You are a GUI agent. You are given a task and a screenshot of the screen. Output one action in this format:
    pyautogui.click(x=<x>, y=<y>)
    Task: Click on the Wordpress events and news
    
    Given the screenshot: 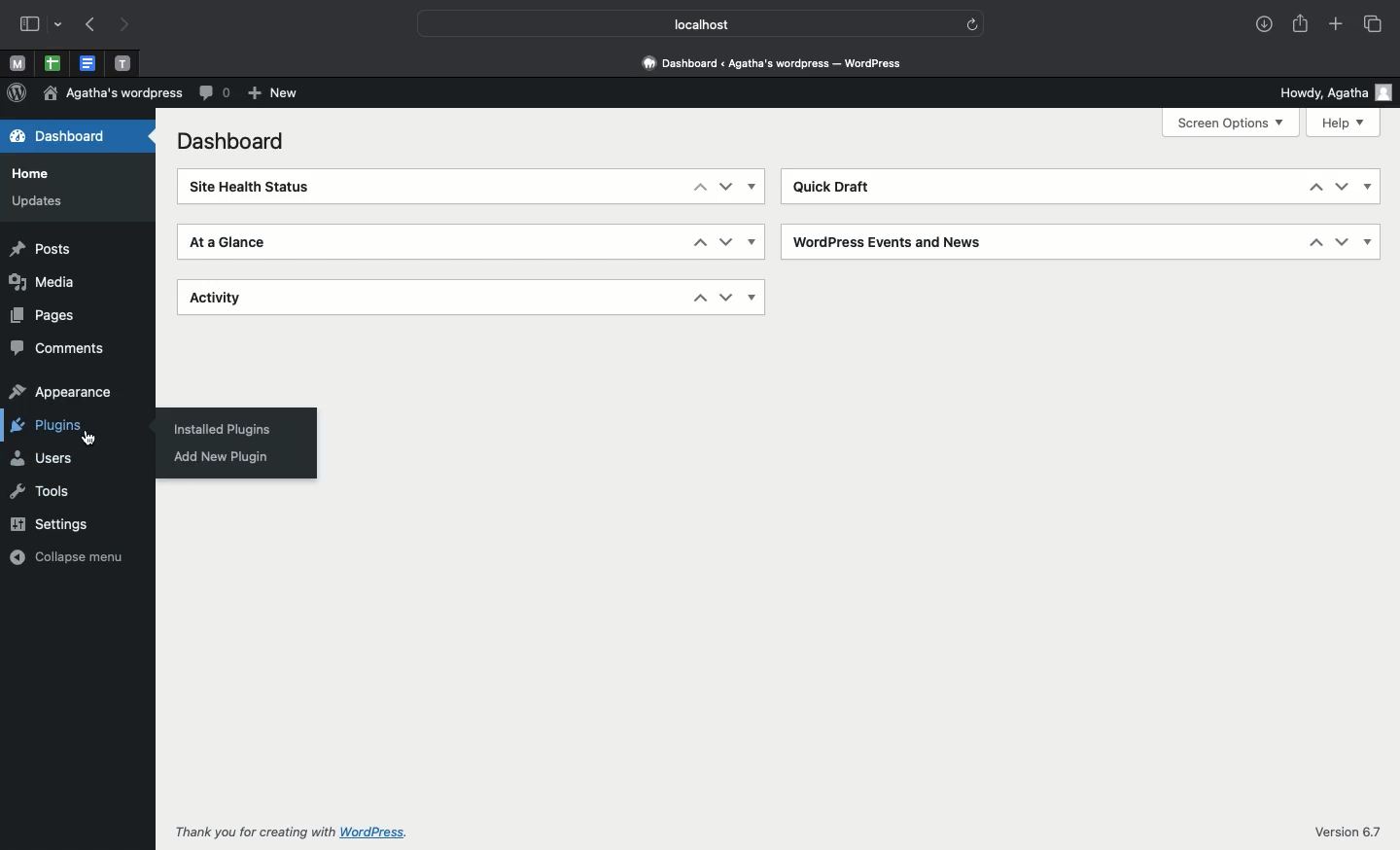 What is the action you would take?
    pyautogui.click(x=893, y=246)
    